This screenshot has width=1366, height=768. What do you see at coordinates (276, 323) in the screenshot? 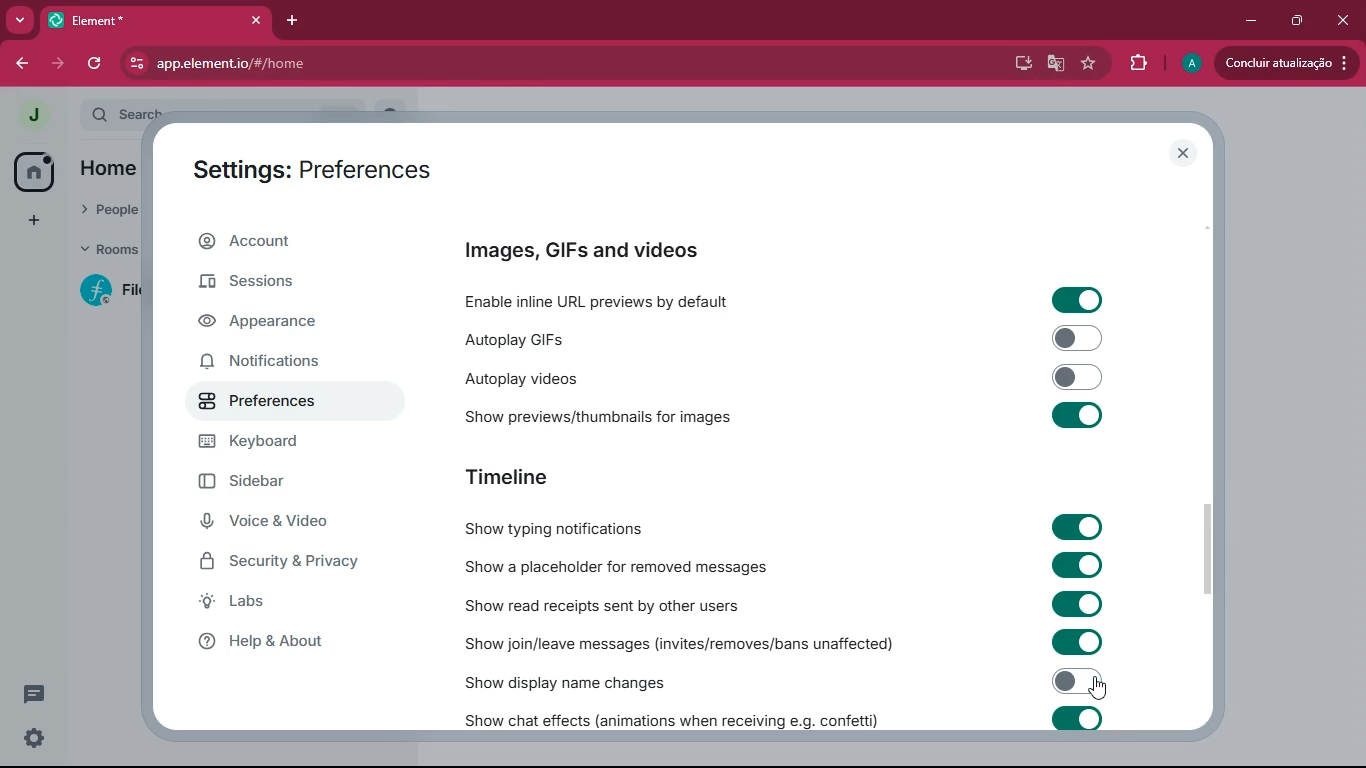
I see `appearance` at bounding box center [276, 323].